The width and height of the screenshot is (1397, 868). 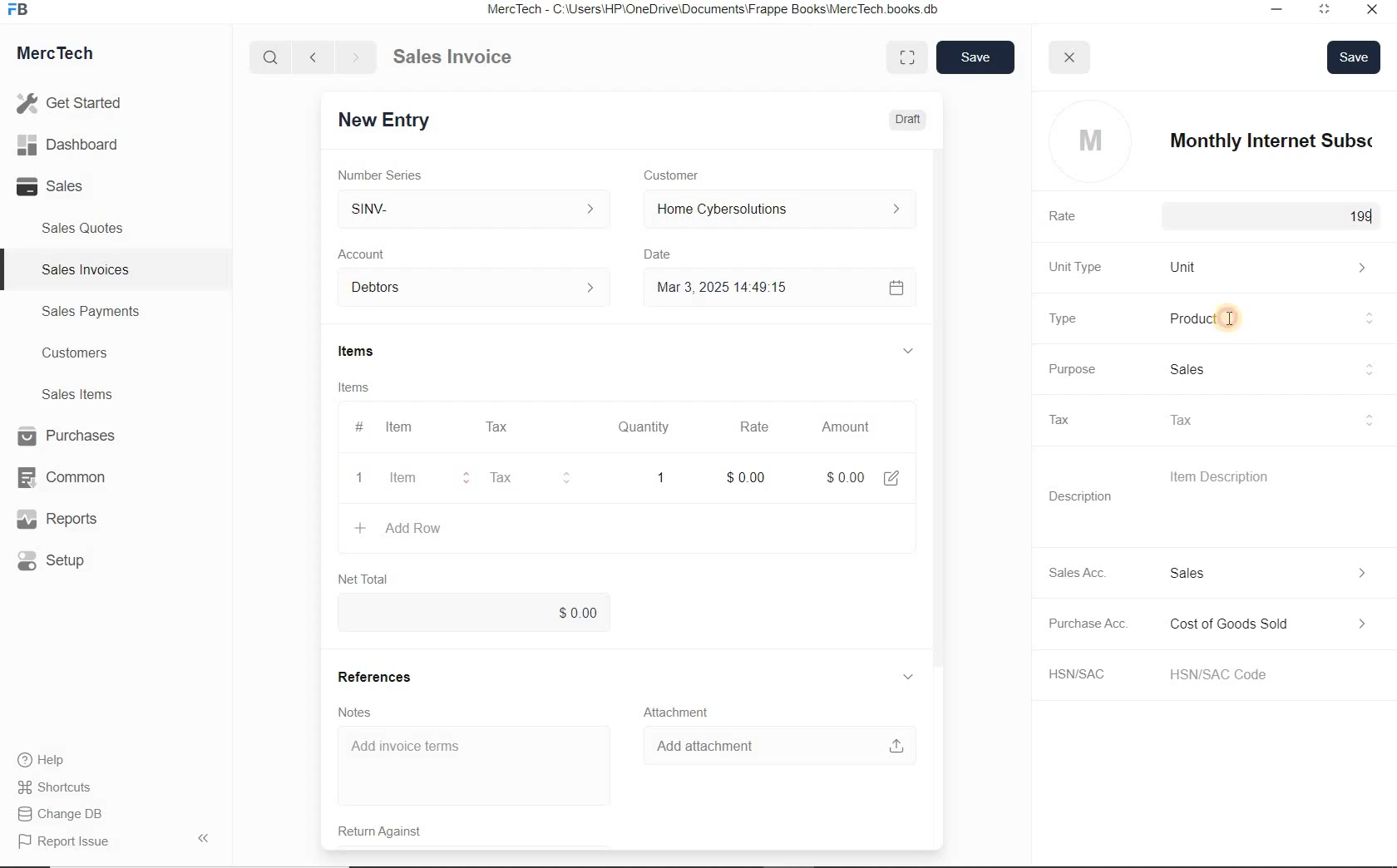 What do you see at coordinates (315, 57) in the screenshot?
I see `Go back` at bounding box center [315, 57].